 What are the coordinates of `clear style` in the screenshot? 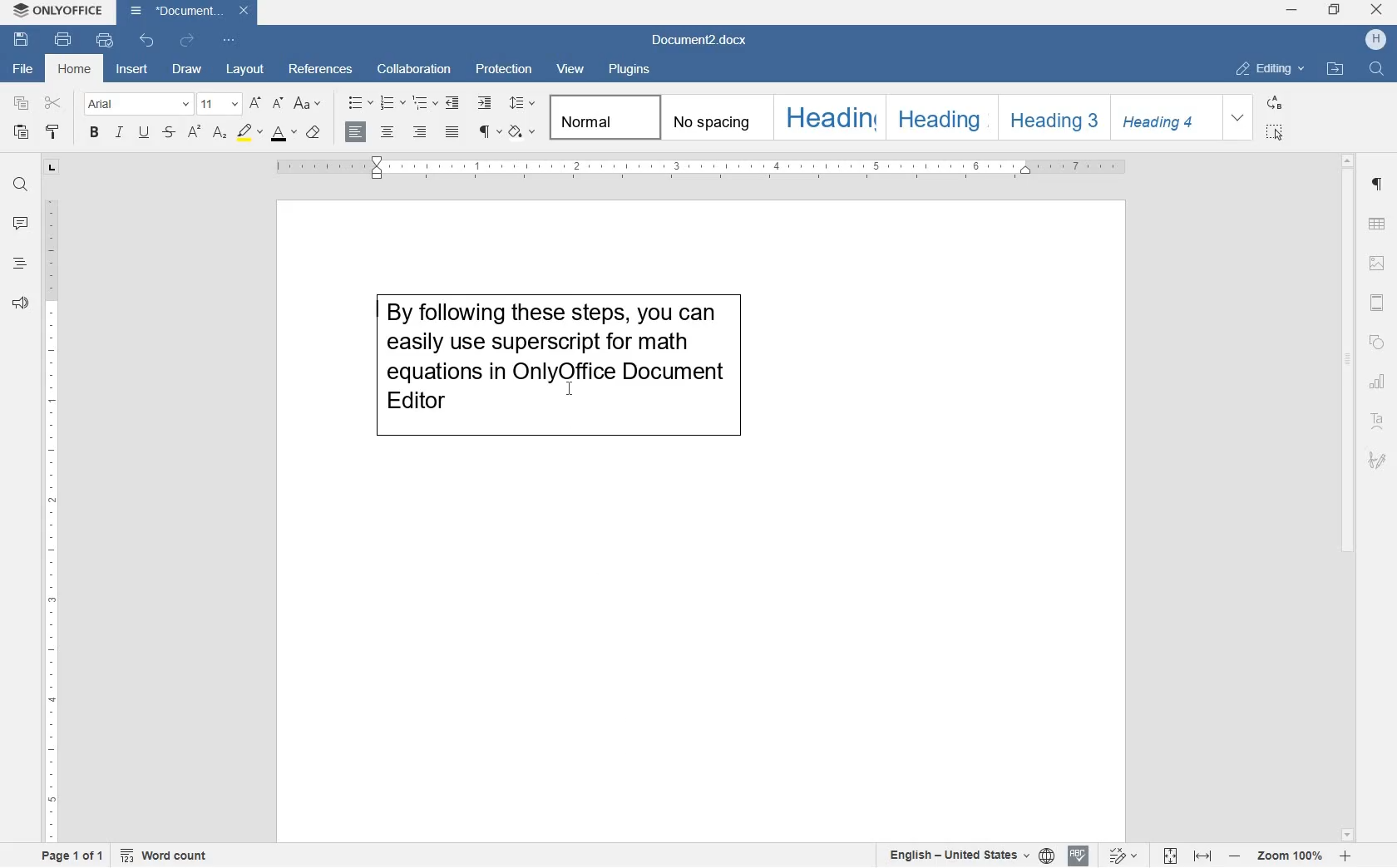 It's located at (313, 133).